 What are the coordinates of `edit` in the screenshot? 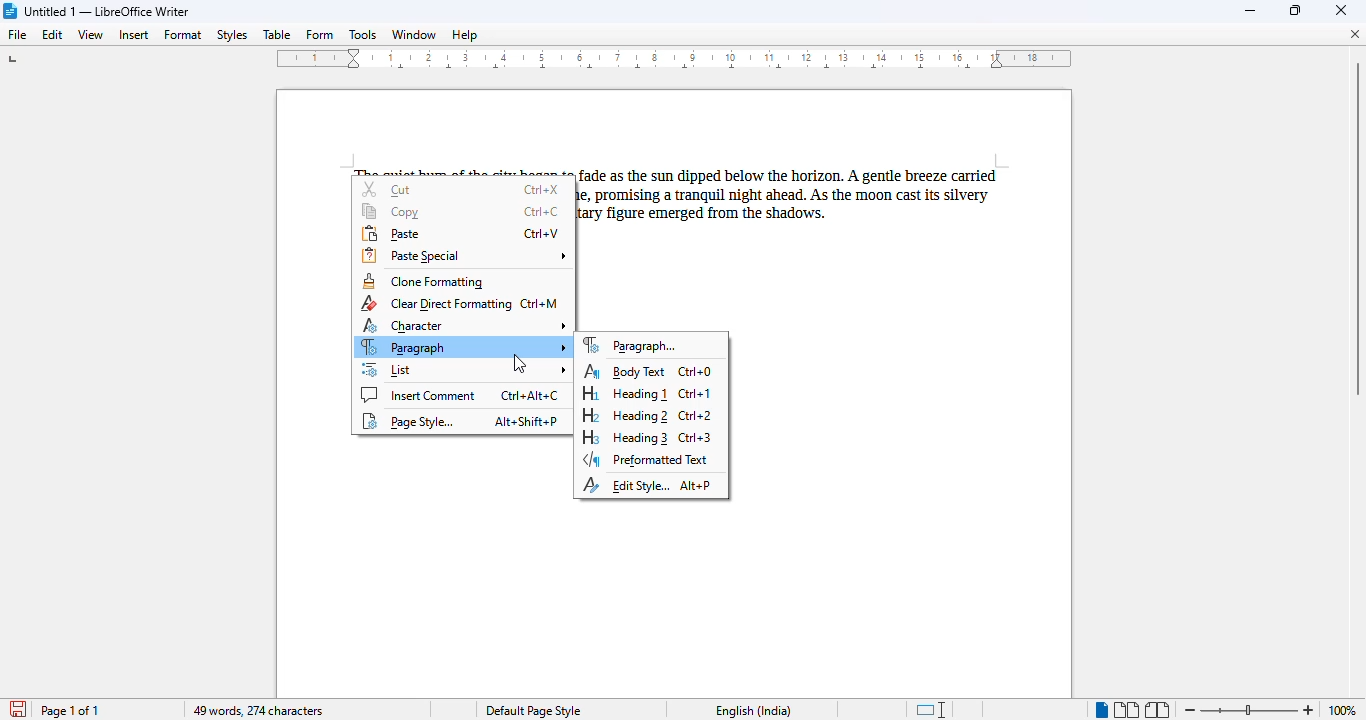 It's located at (52, 34).